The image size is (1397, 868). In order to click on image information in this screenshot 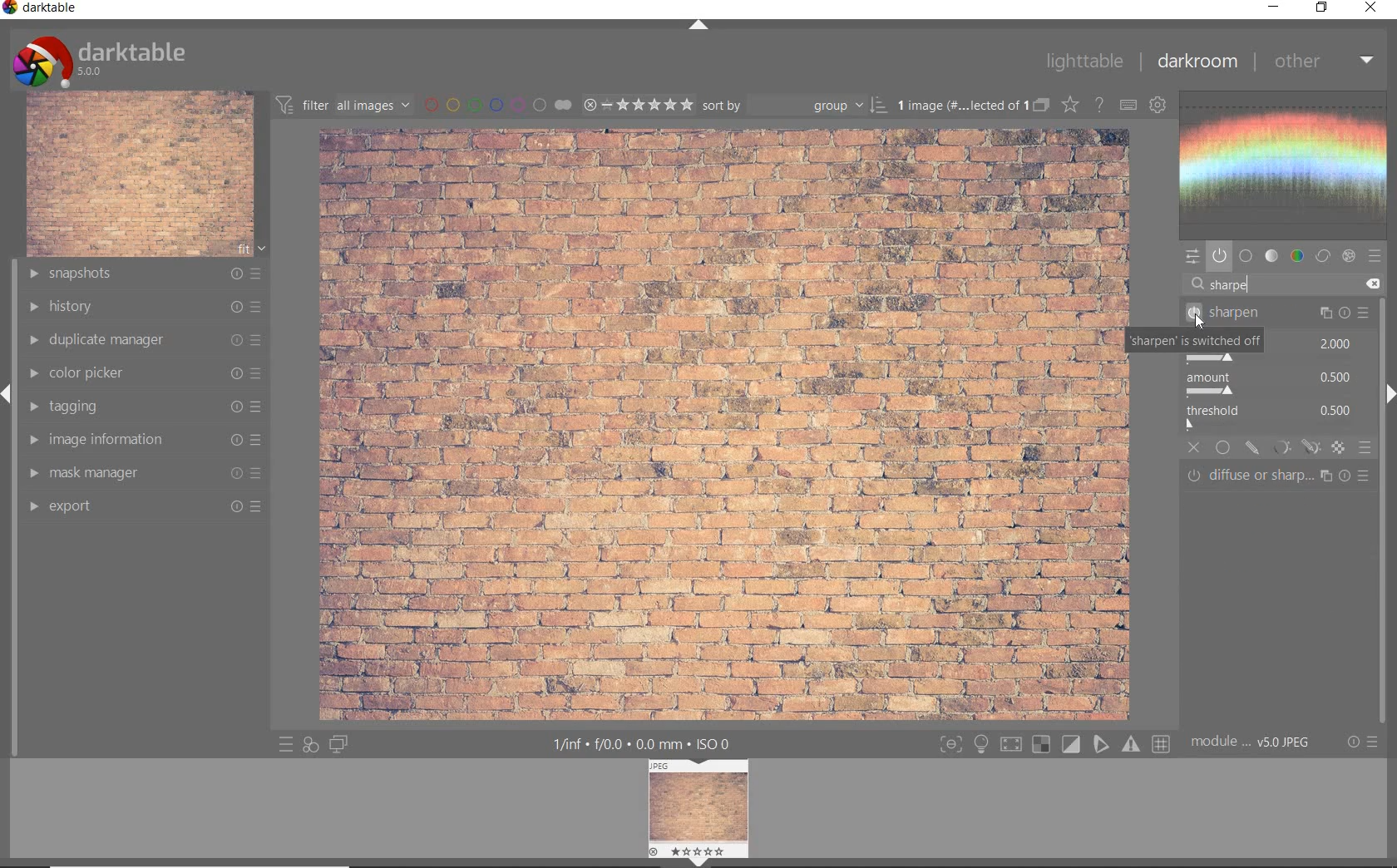, I will do `click(144, 439)`.